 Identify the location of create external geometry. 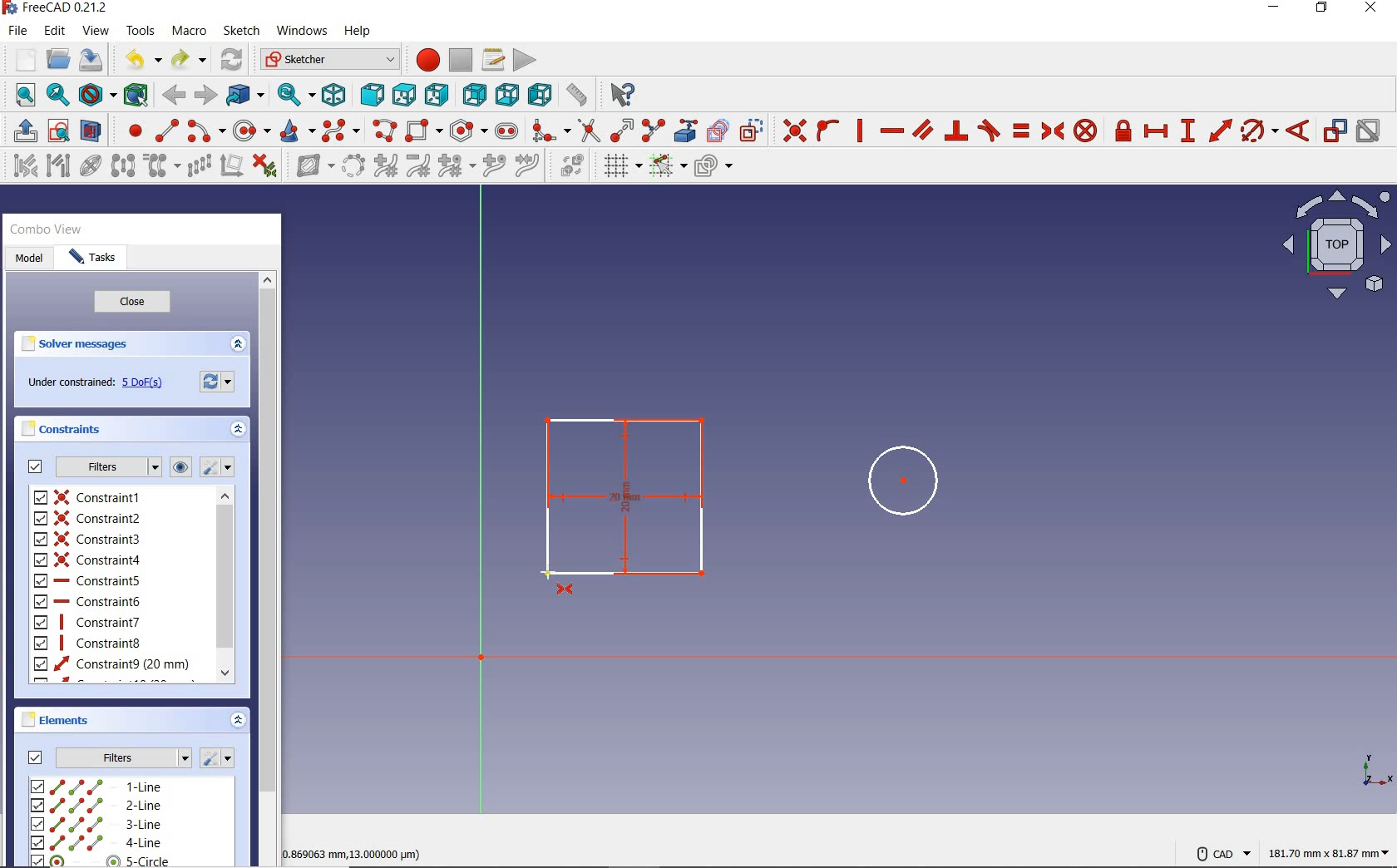
(688, 131).